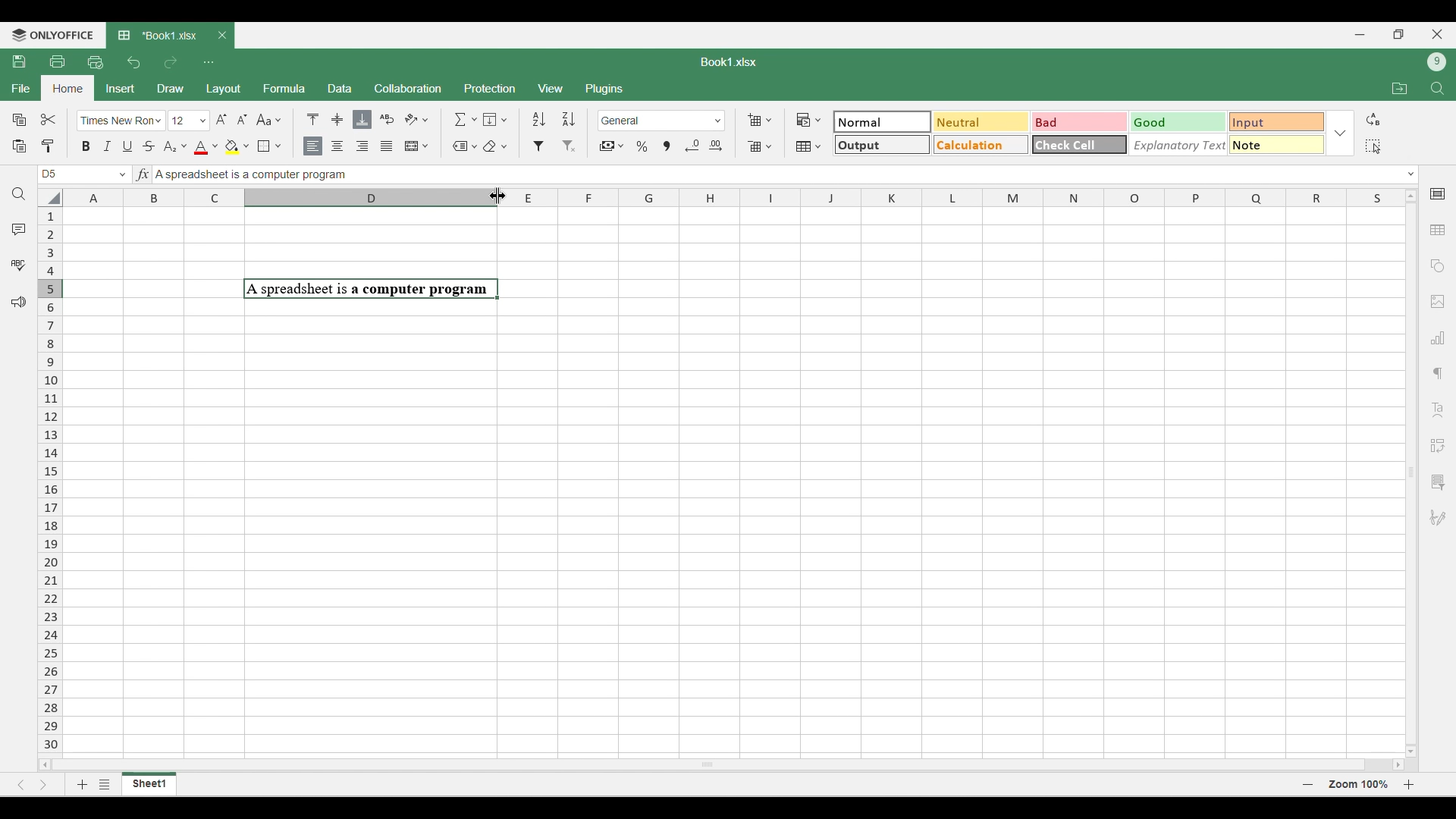 This screenshot has width=1456, height=819. I want to click on List of sheets, so click(105, 784).